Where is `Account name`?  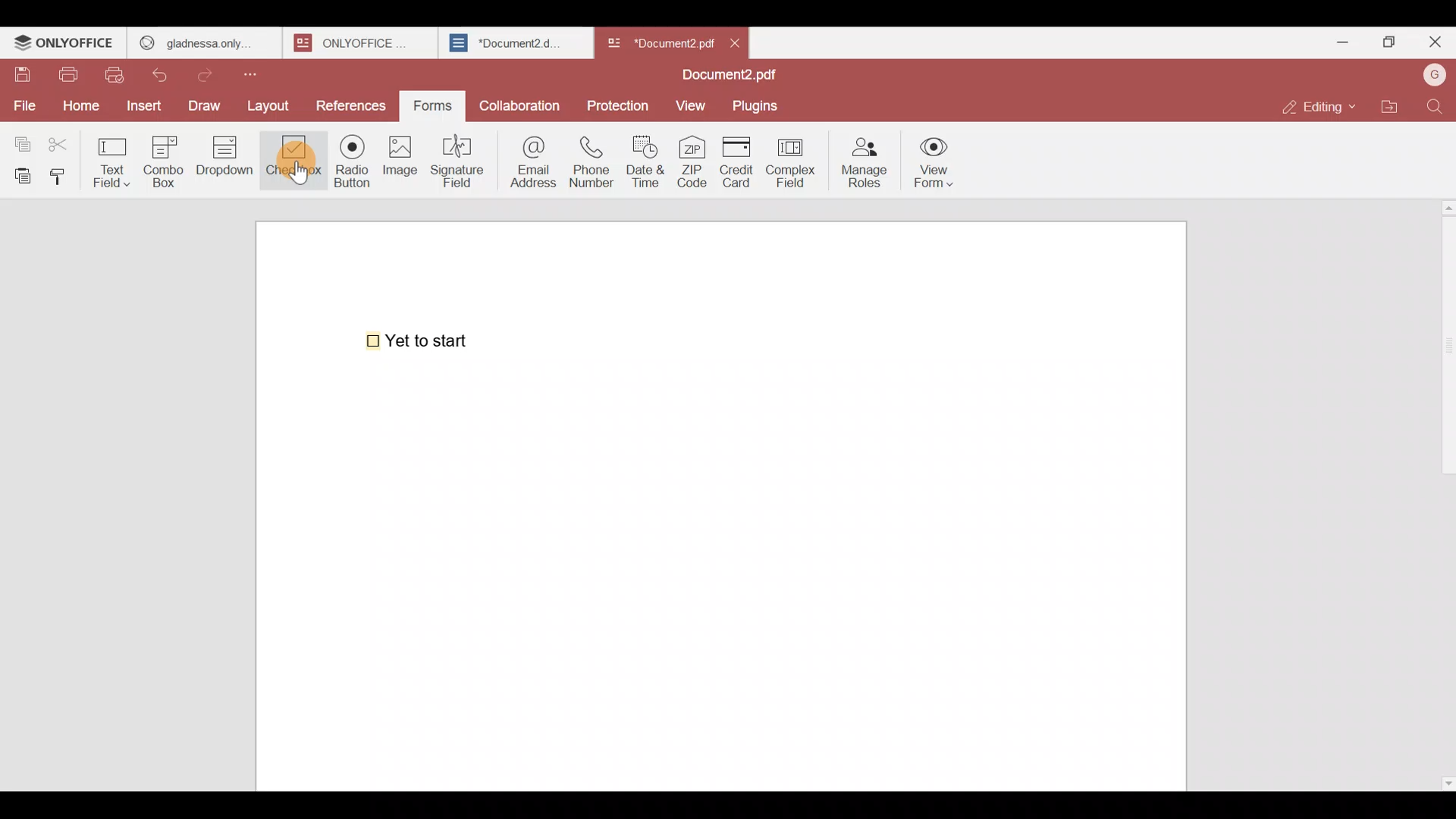 Account name is located at coordinates (1434, 74).